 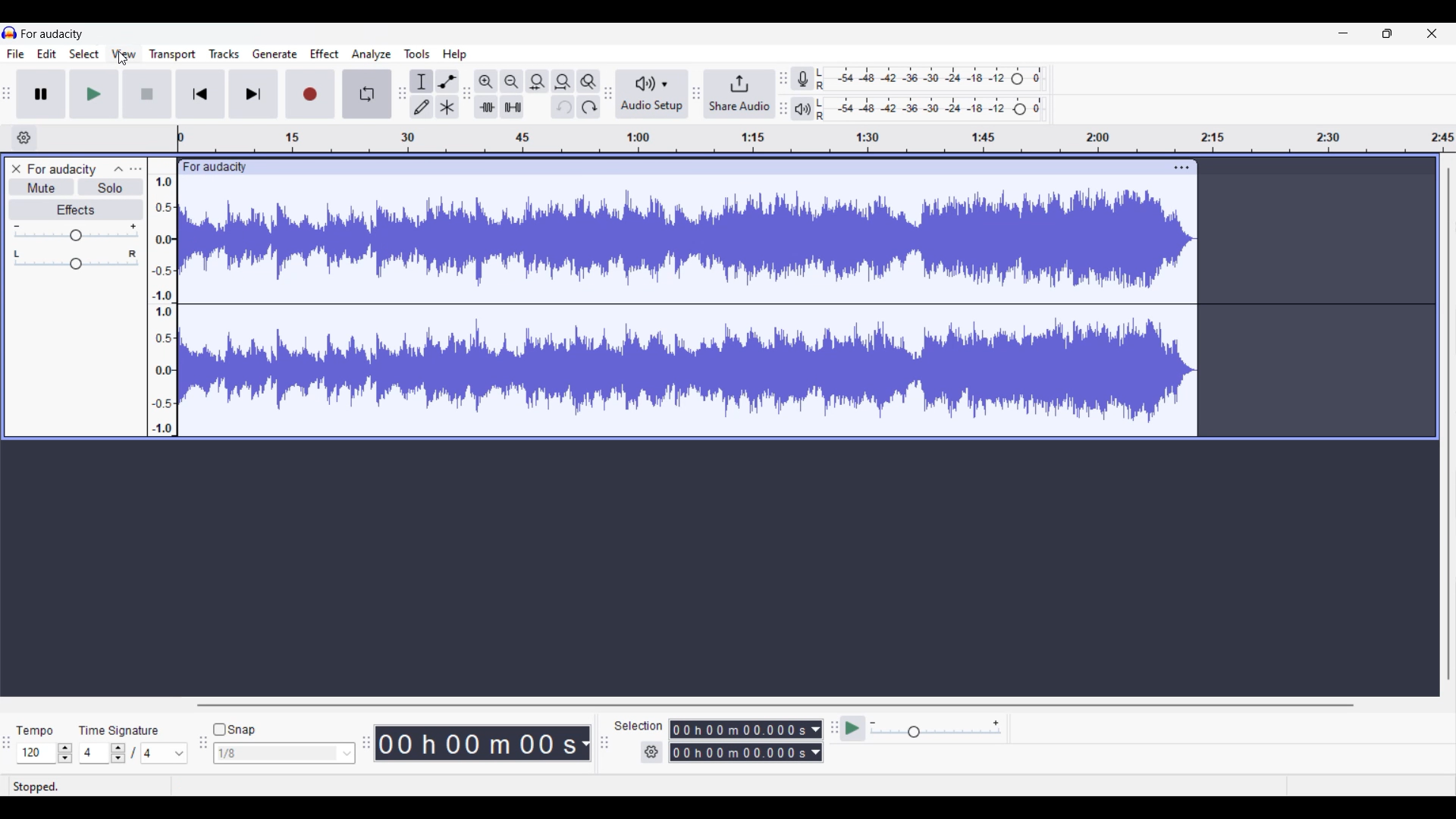 What do you see at coordinates (77, 210) in the screenshot?
I see `Effects` at bounding box center [77, 210].